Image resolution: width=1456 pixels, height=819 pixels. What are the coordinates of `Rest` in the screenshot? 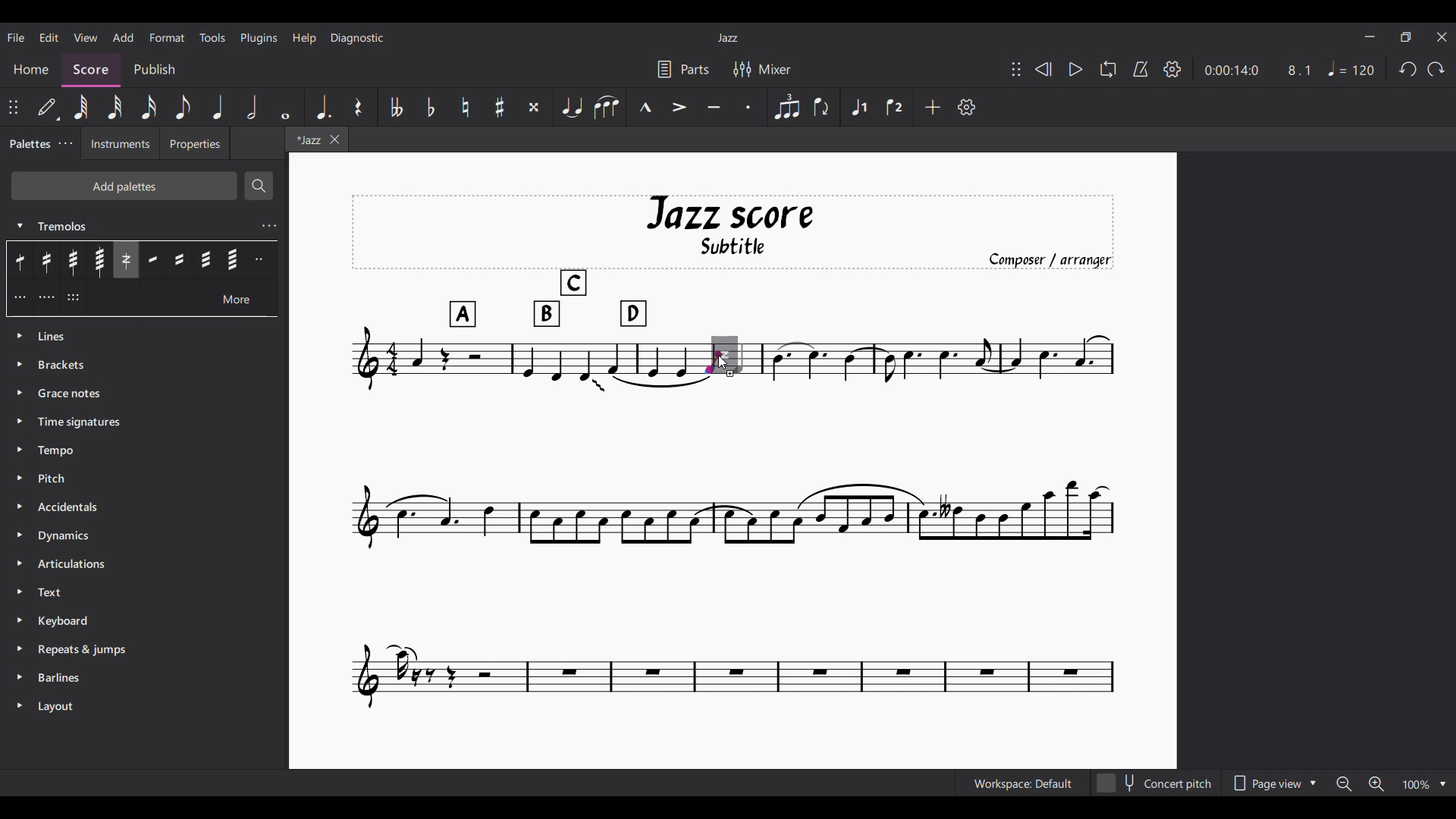 It's located at (359, 106).